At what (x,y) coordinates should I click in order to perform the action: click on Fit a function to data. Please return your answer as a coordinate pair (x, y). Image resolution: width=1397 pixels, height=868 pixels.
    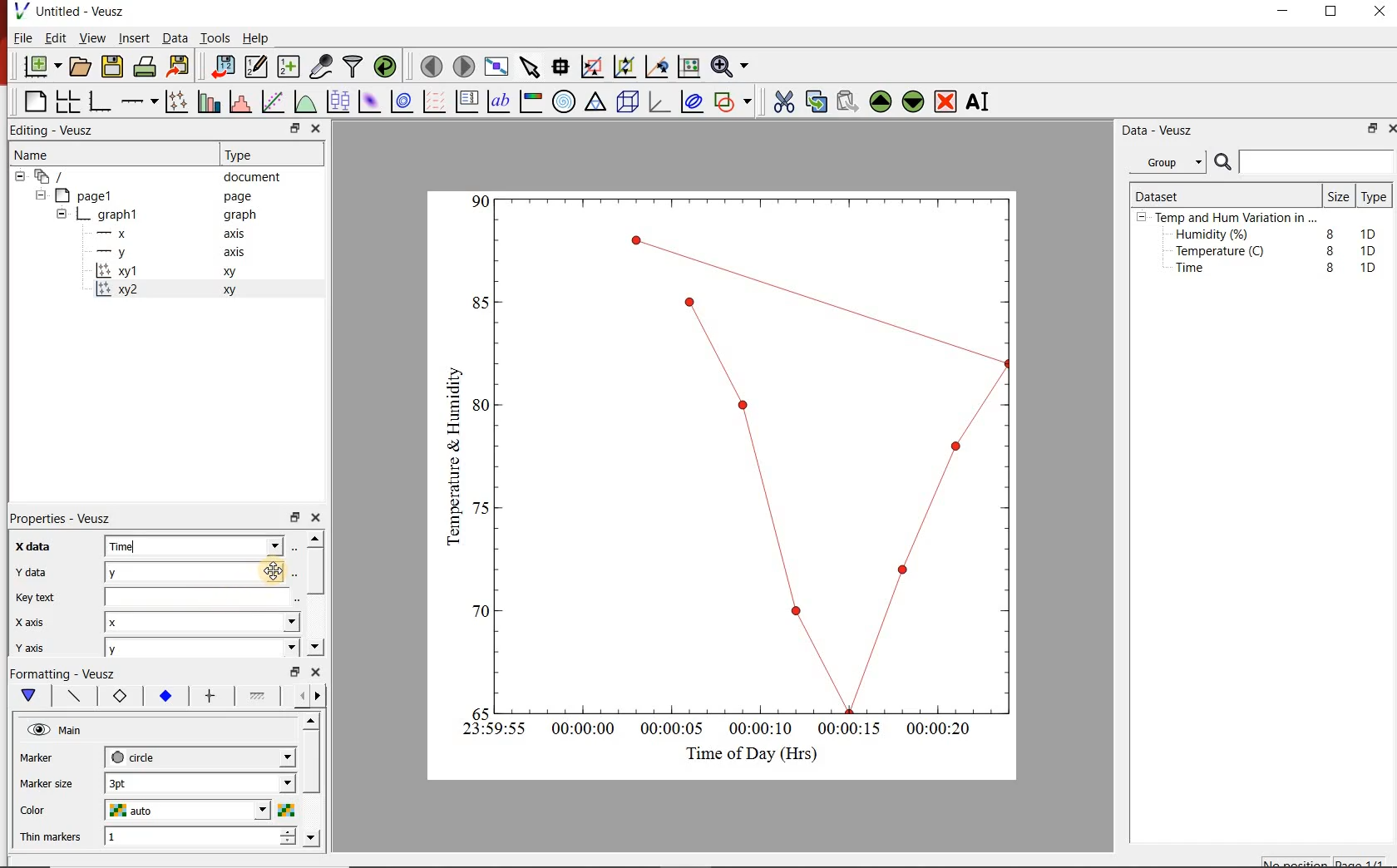
    Looking at the image, I should click on (274, 101).